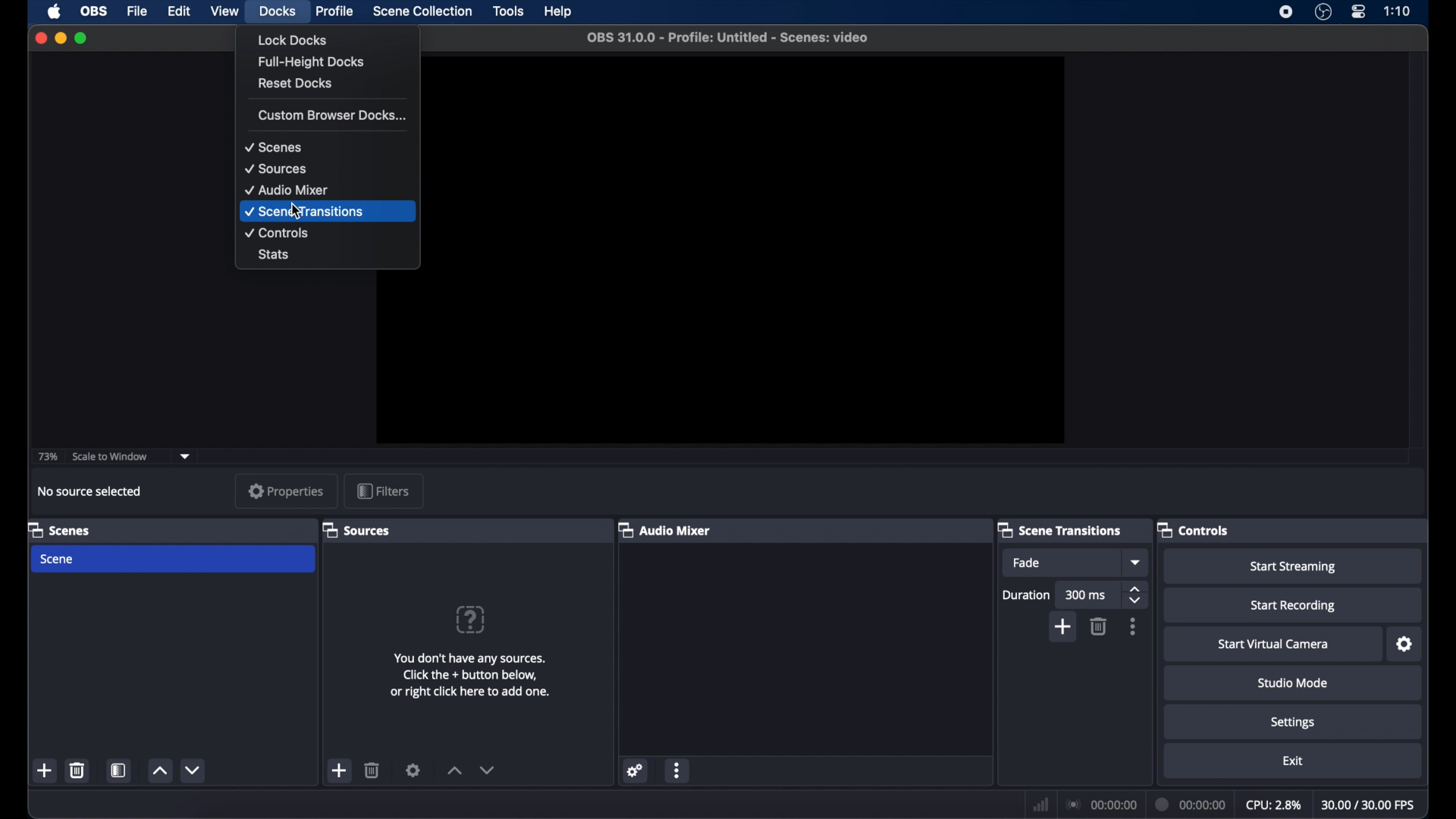 The image size is (1456, 819). I want to click on info, so click(470, 676).